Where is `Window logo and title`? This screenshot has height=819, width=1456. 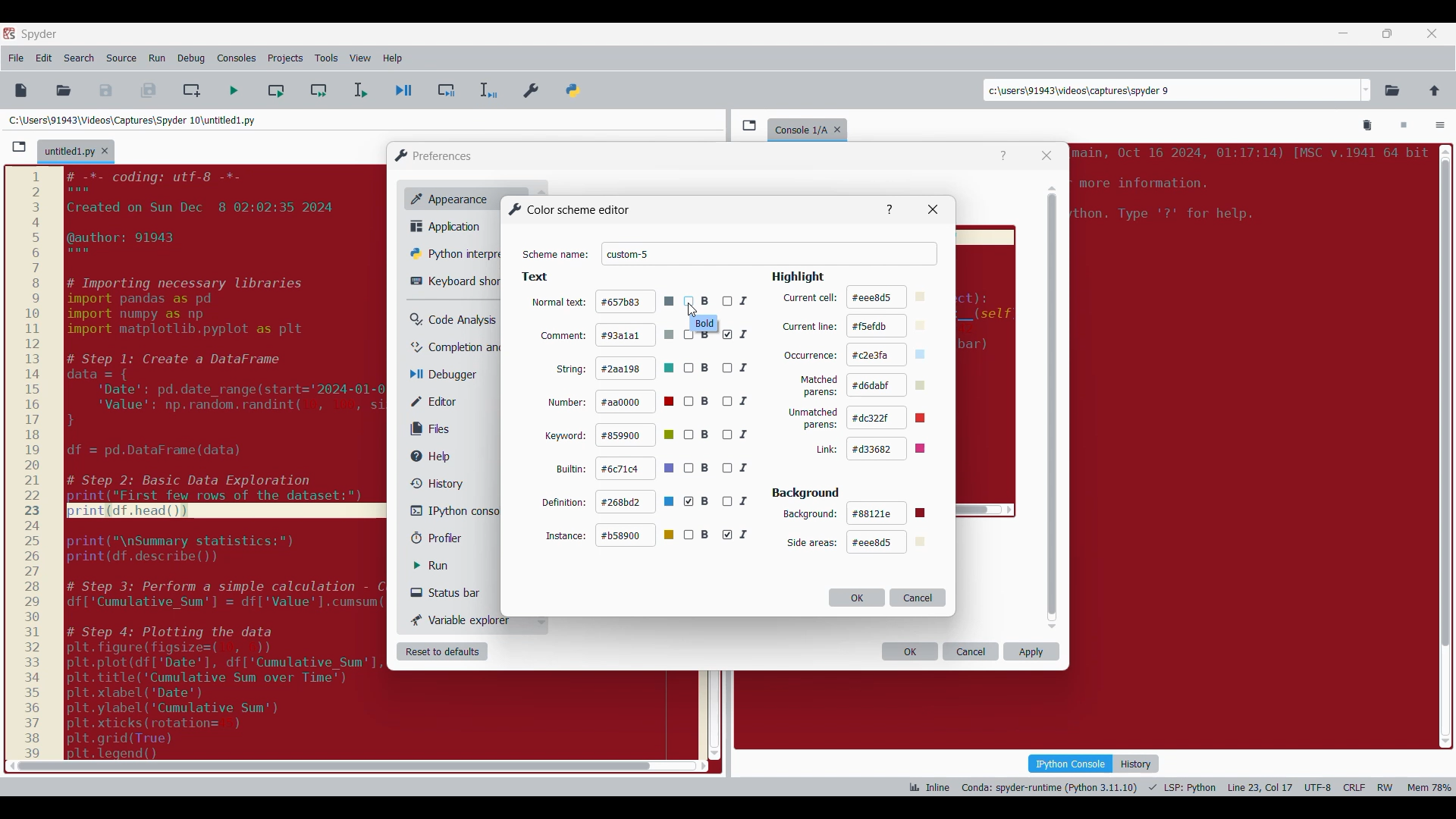
Window logo and title is located at coordinates (434, 155).